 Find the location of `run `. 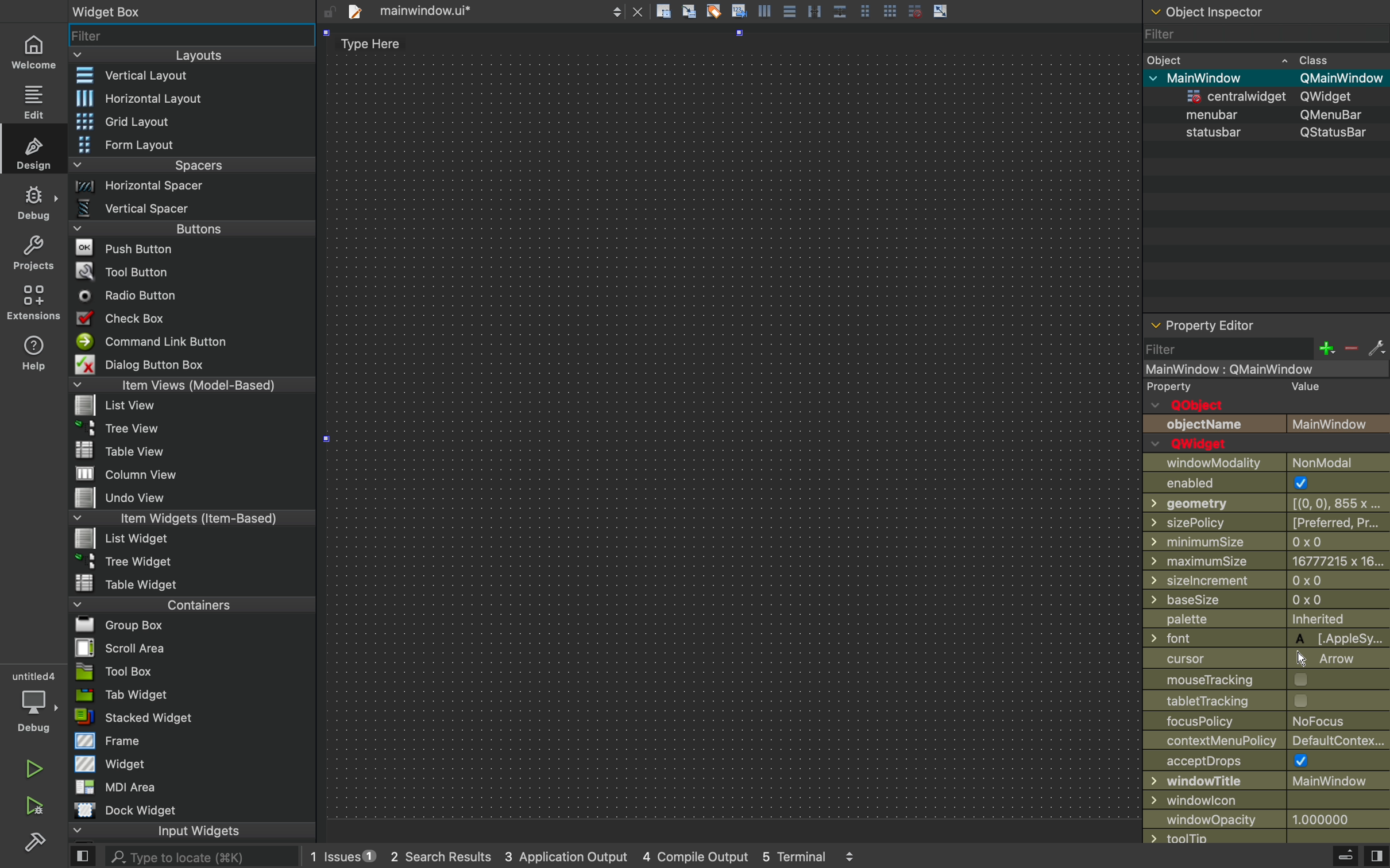

run  is located at coordinates (31, 767).